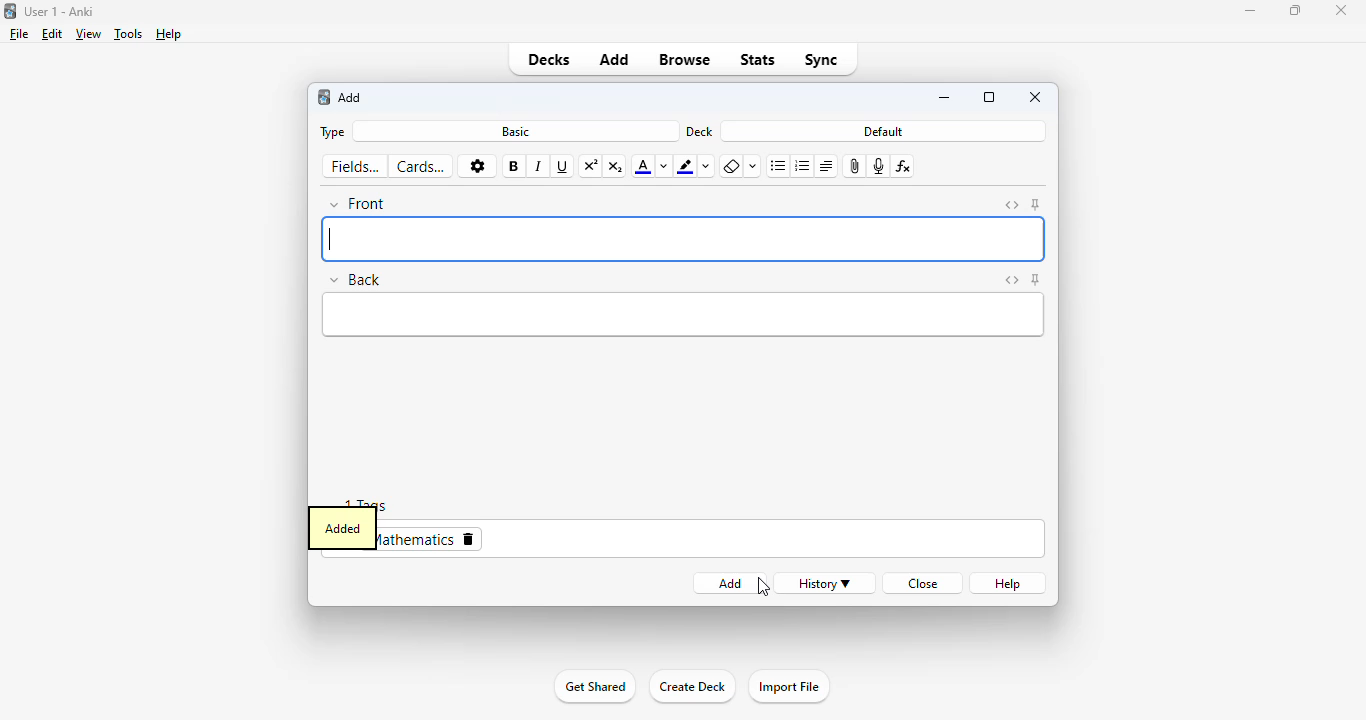  I want to click on get started, so click(595, 686).